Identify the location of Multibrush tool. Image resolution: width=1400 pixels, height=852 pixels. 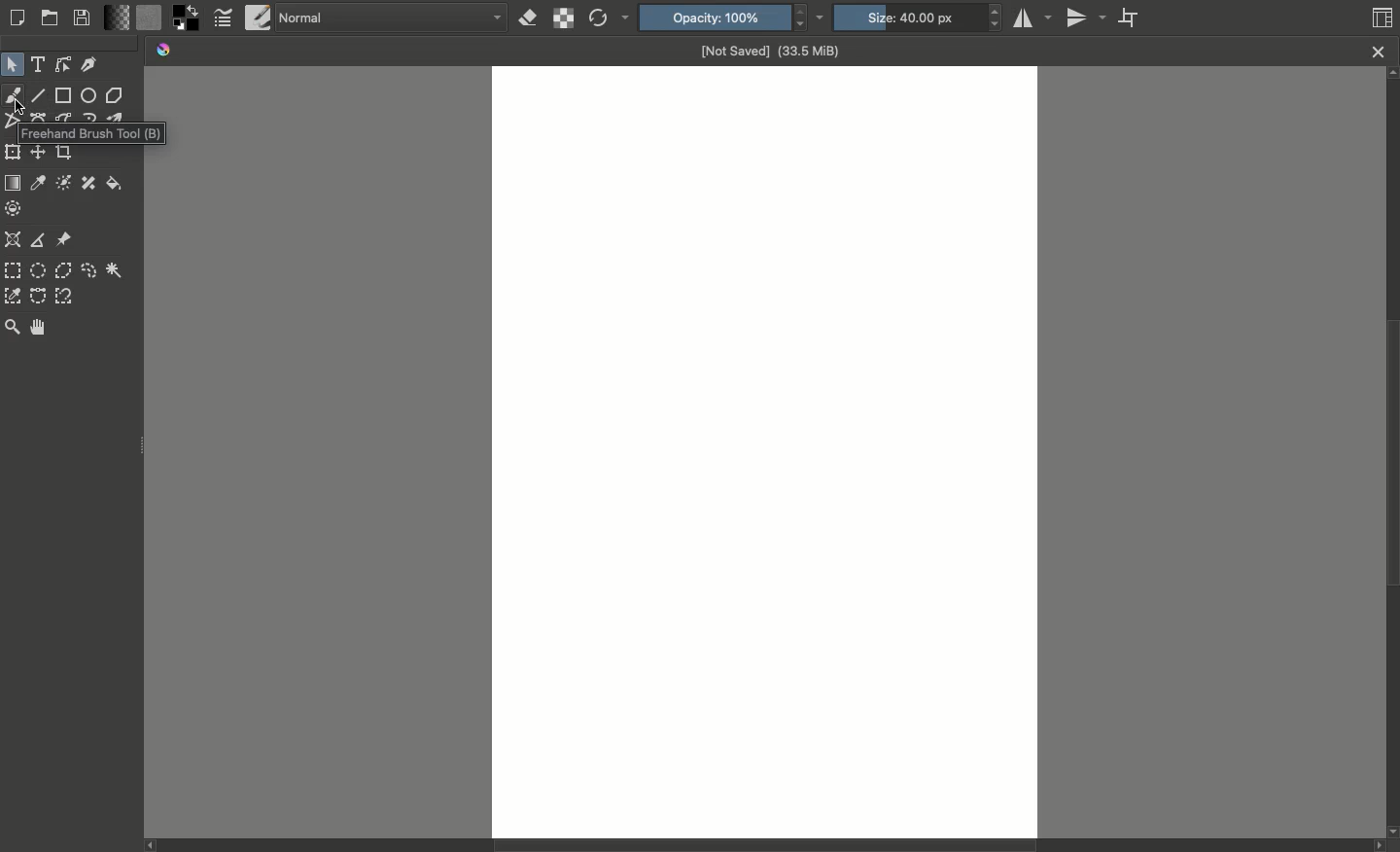
(121, 117).